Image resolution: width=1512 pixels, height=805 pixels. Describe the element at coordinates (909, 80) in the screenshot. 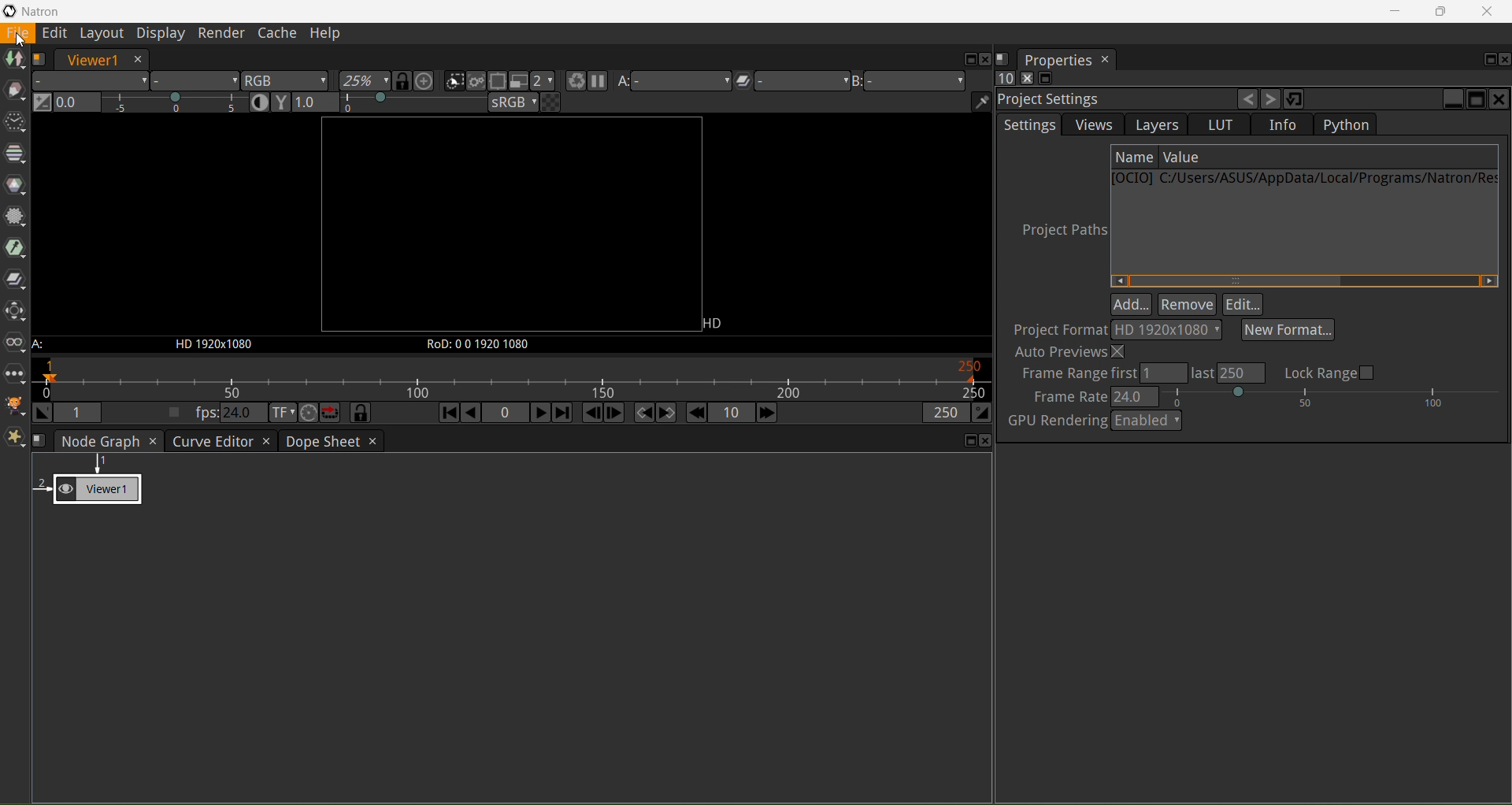

I see `Viewer Input B` at that location.